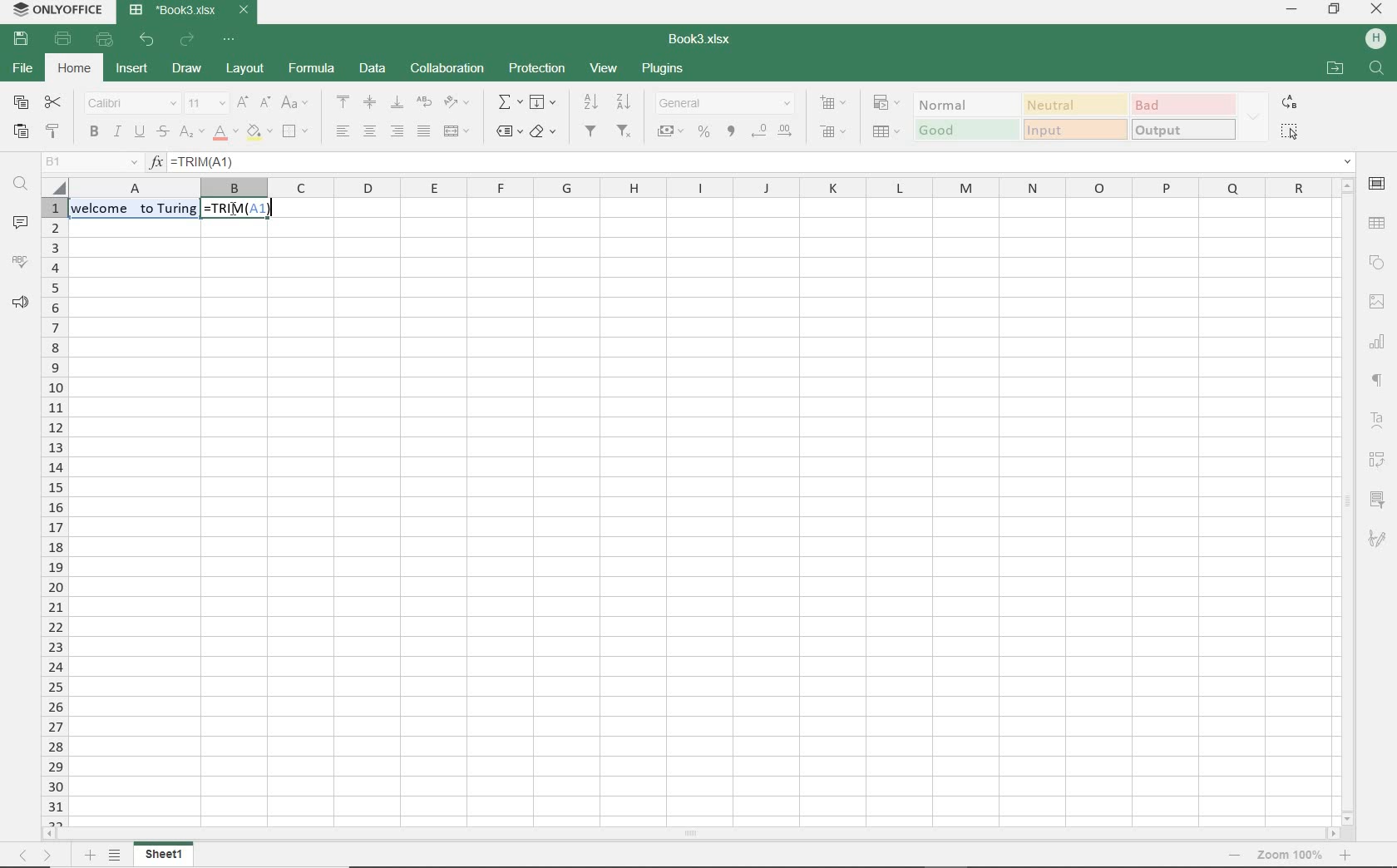  I want to click on , so click(1380, 40).